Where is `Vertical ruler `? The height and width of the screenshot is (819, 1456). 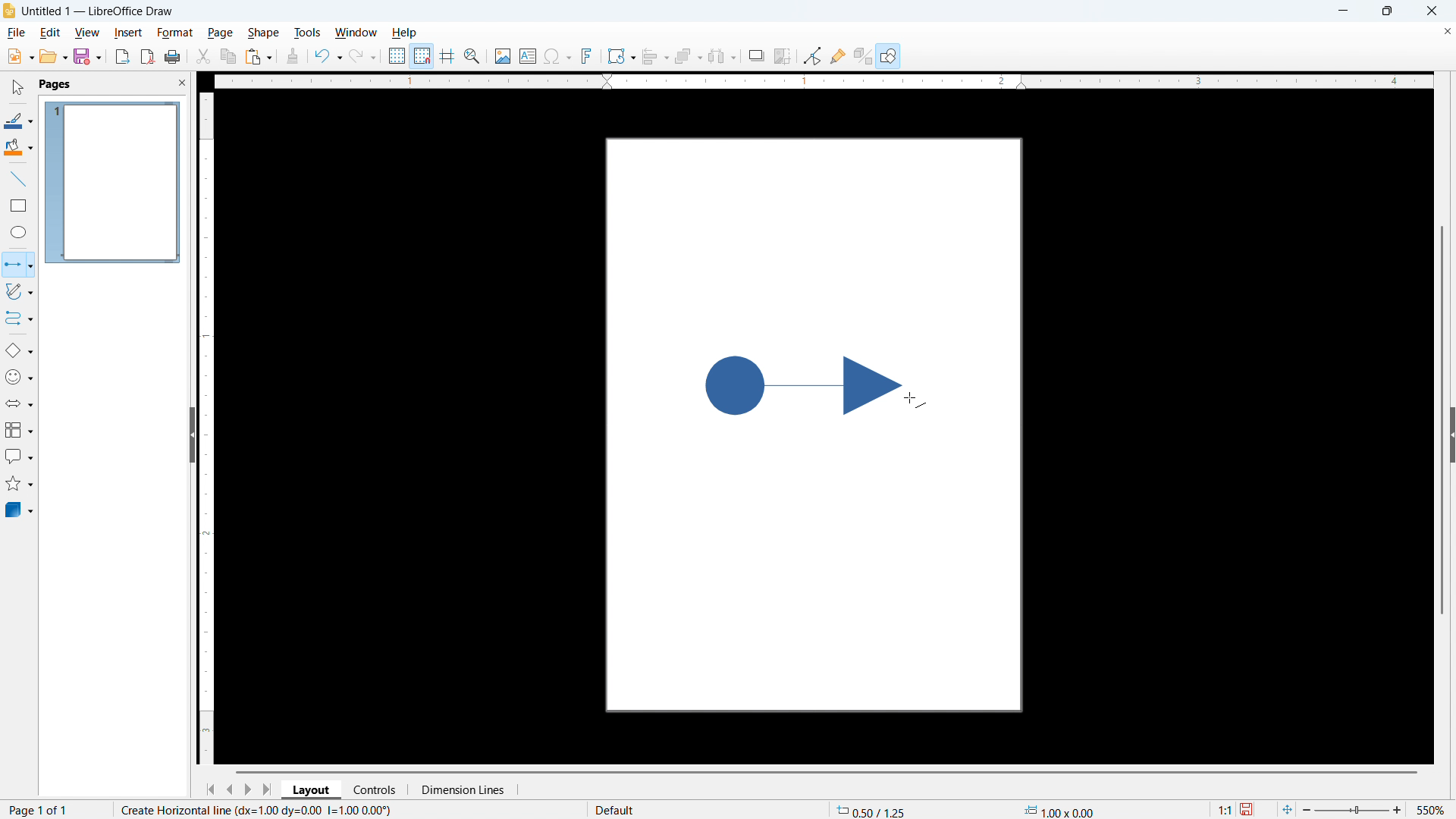
Vertical ruler  is located at coordinates (207, 428).